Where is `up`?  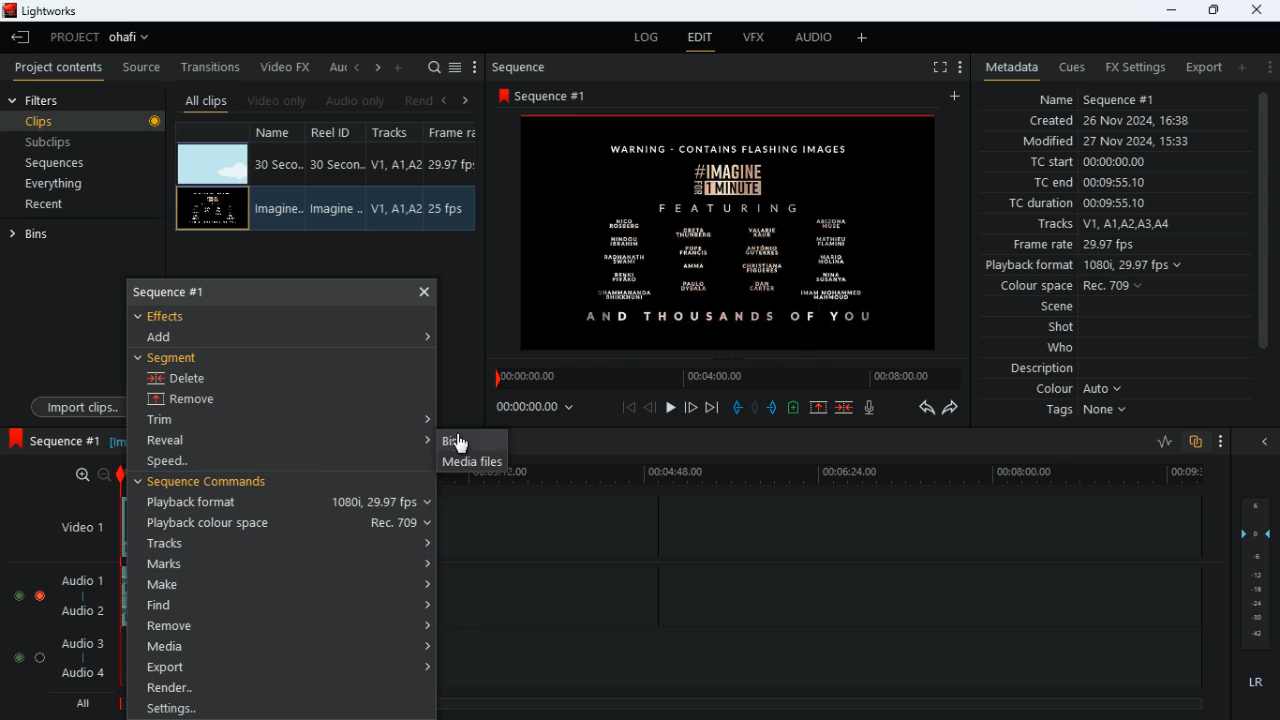
up is located at coordinates (793, 409).